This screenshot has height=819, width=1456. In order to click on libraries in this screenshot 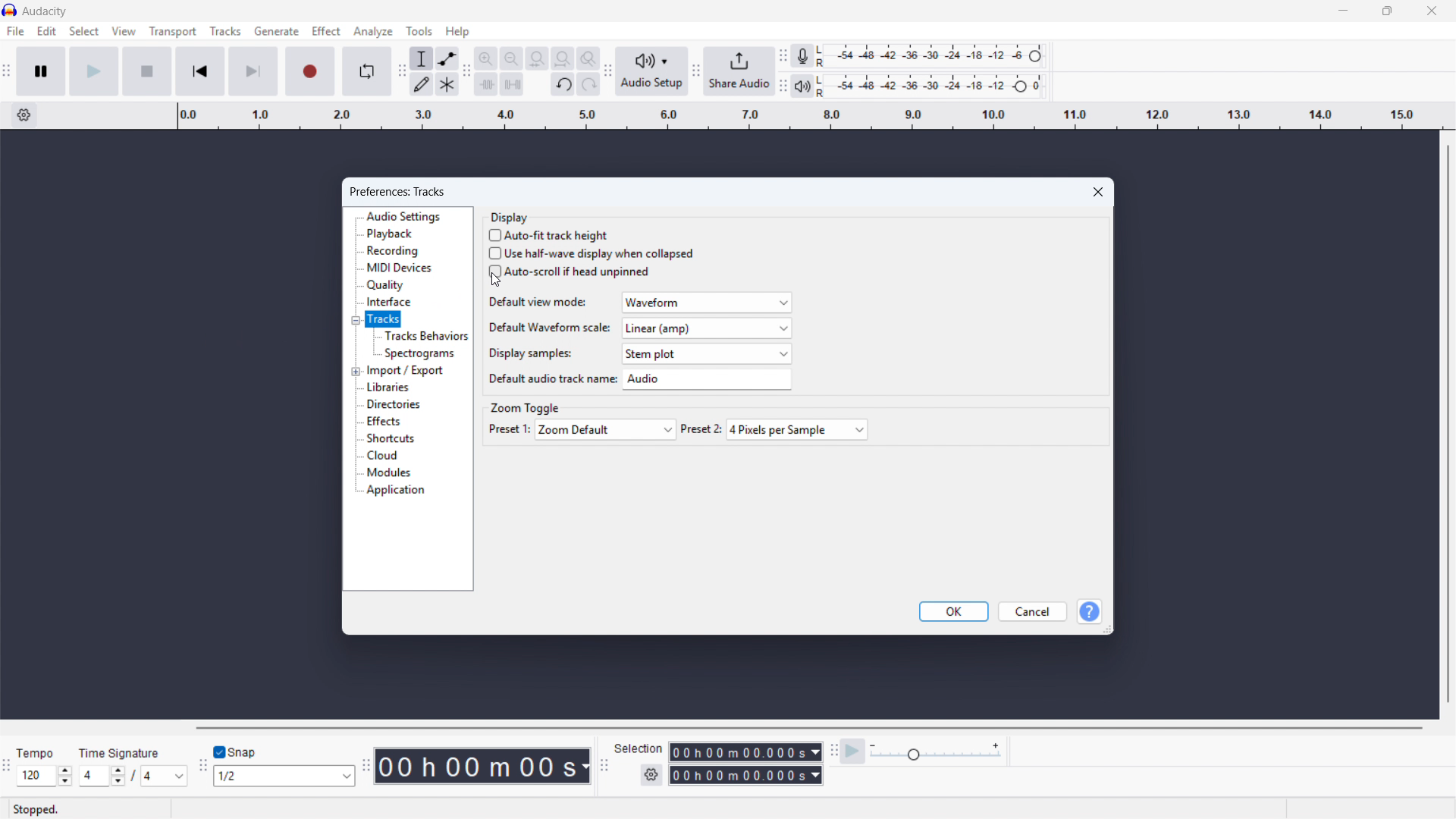, I will do `click(389, 388)`.